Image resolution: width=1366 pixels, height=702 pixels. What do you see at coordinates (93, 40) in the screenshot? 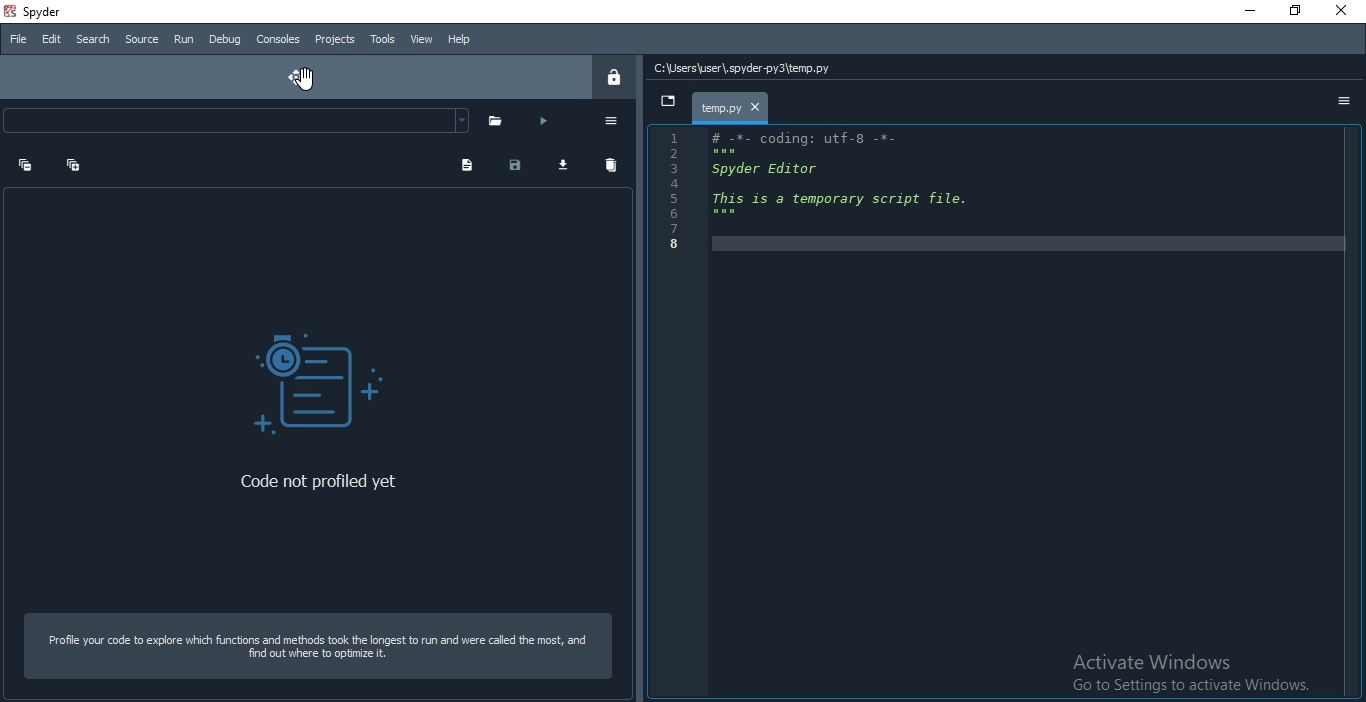
I see `Search` at bounding box center [93, 40].